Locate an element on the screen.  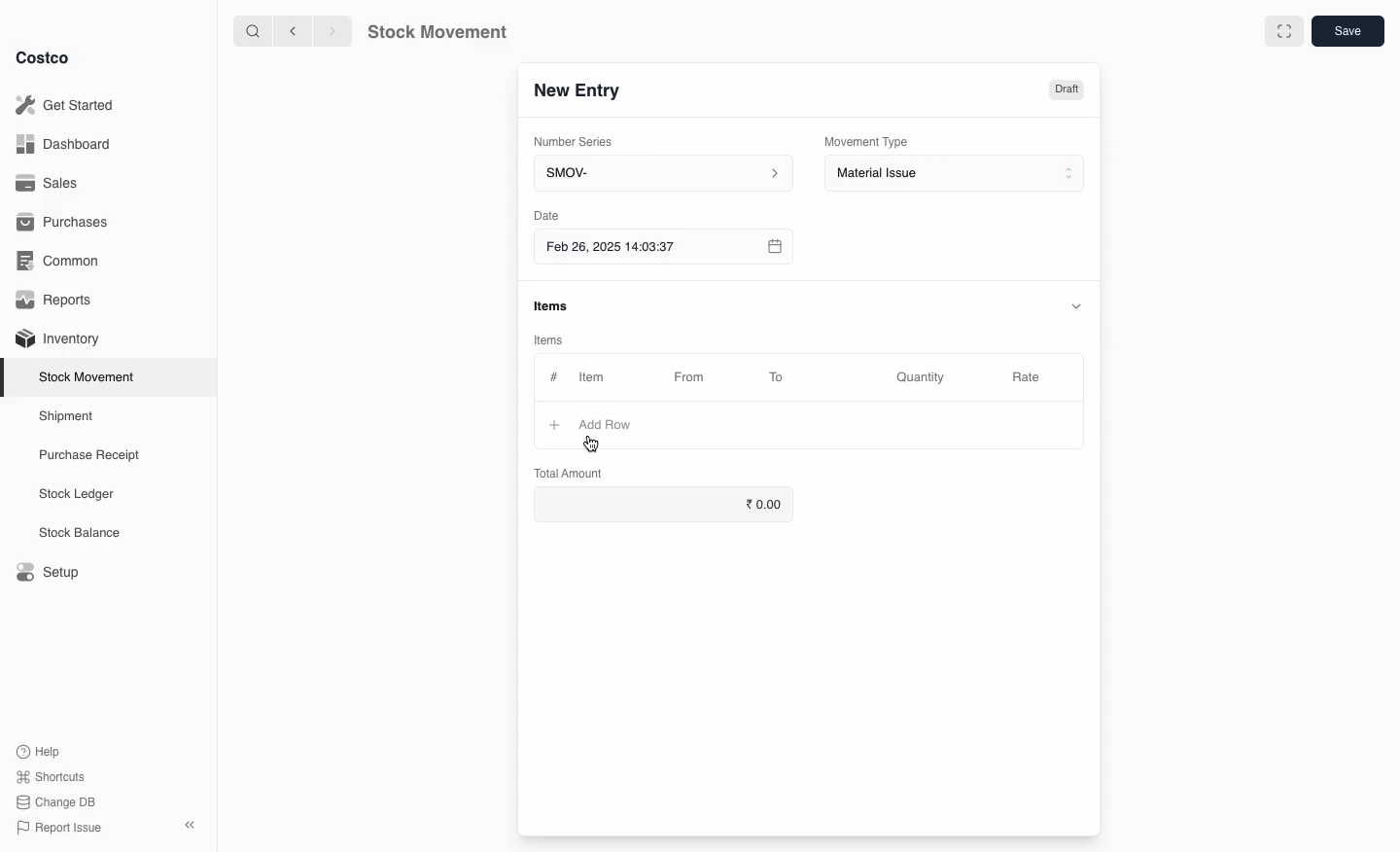
+ is located at coordinates (549, 427).